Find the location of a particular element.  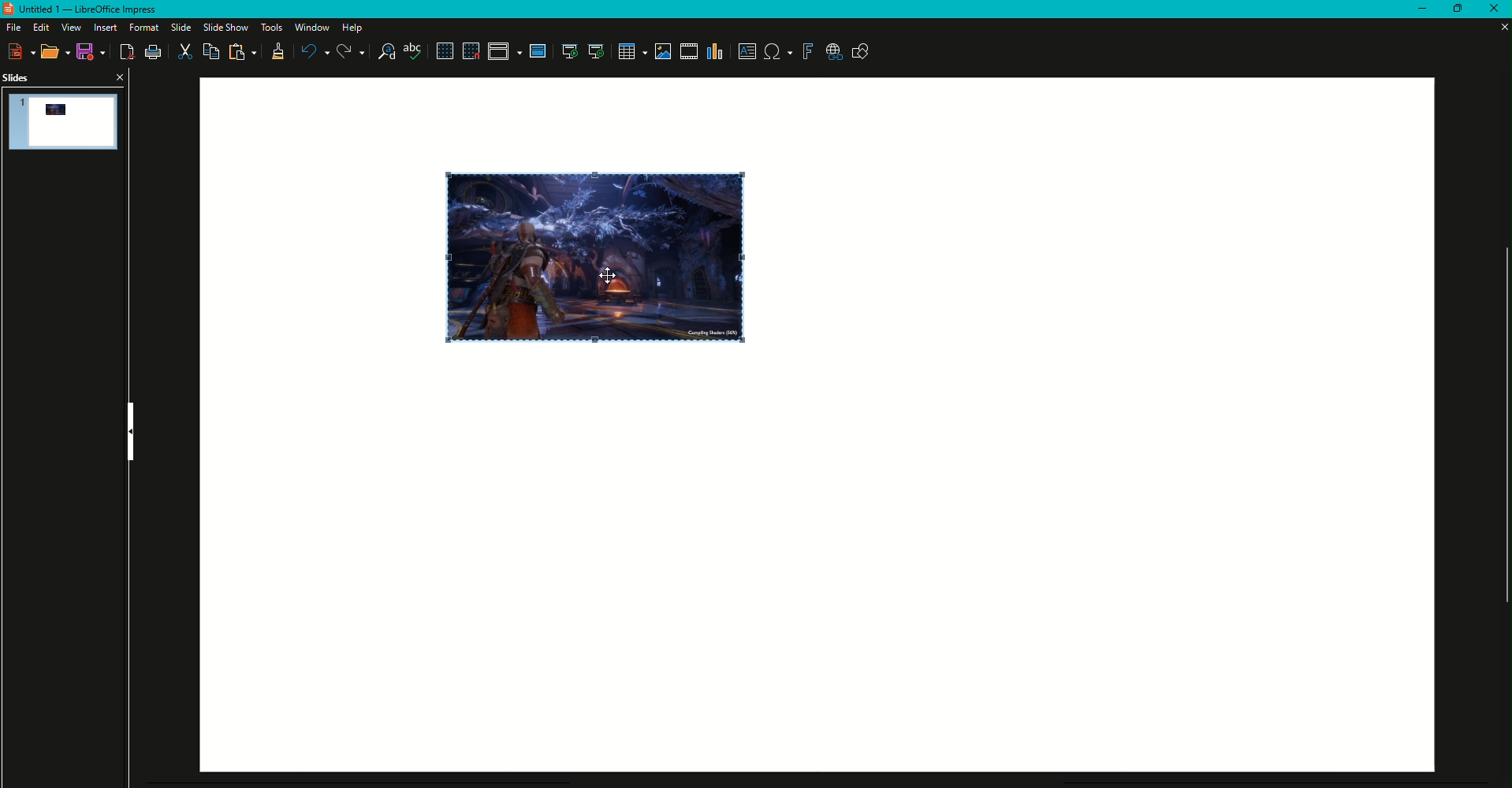

Insert is located at coordinates (102, 28).